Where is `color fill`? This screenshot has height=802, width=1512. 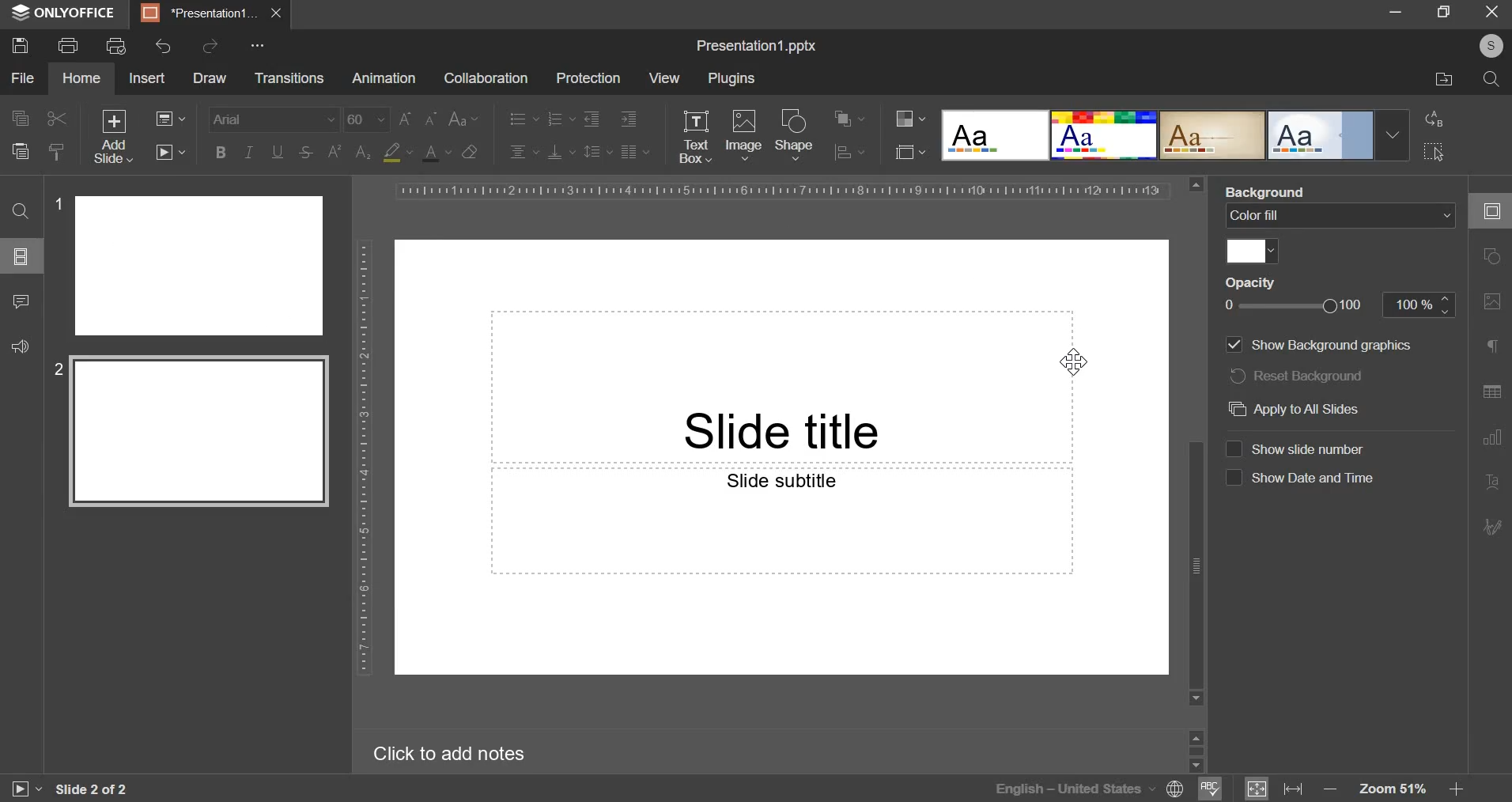 color fill is located at coordinates (1338, 216).